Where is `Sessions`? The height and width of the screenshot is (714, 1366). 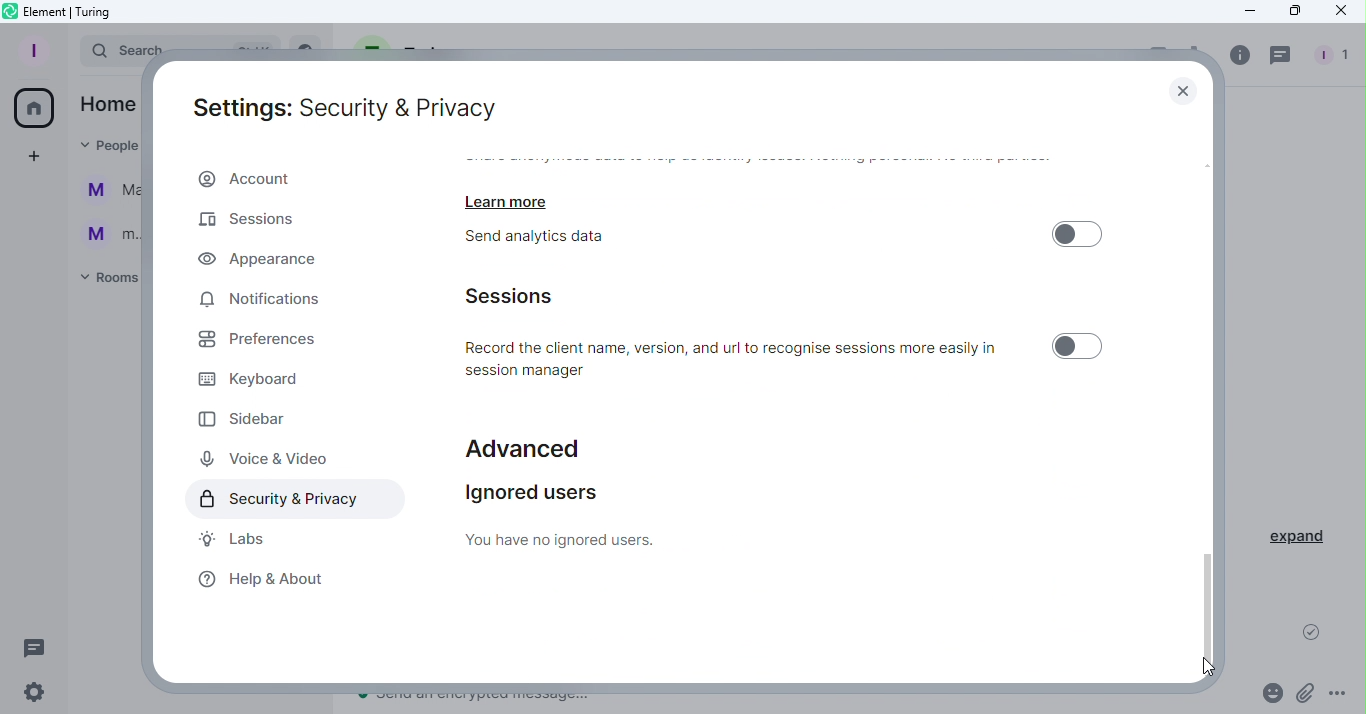 Sessions is located at coordinates (250, 222).